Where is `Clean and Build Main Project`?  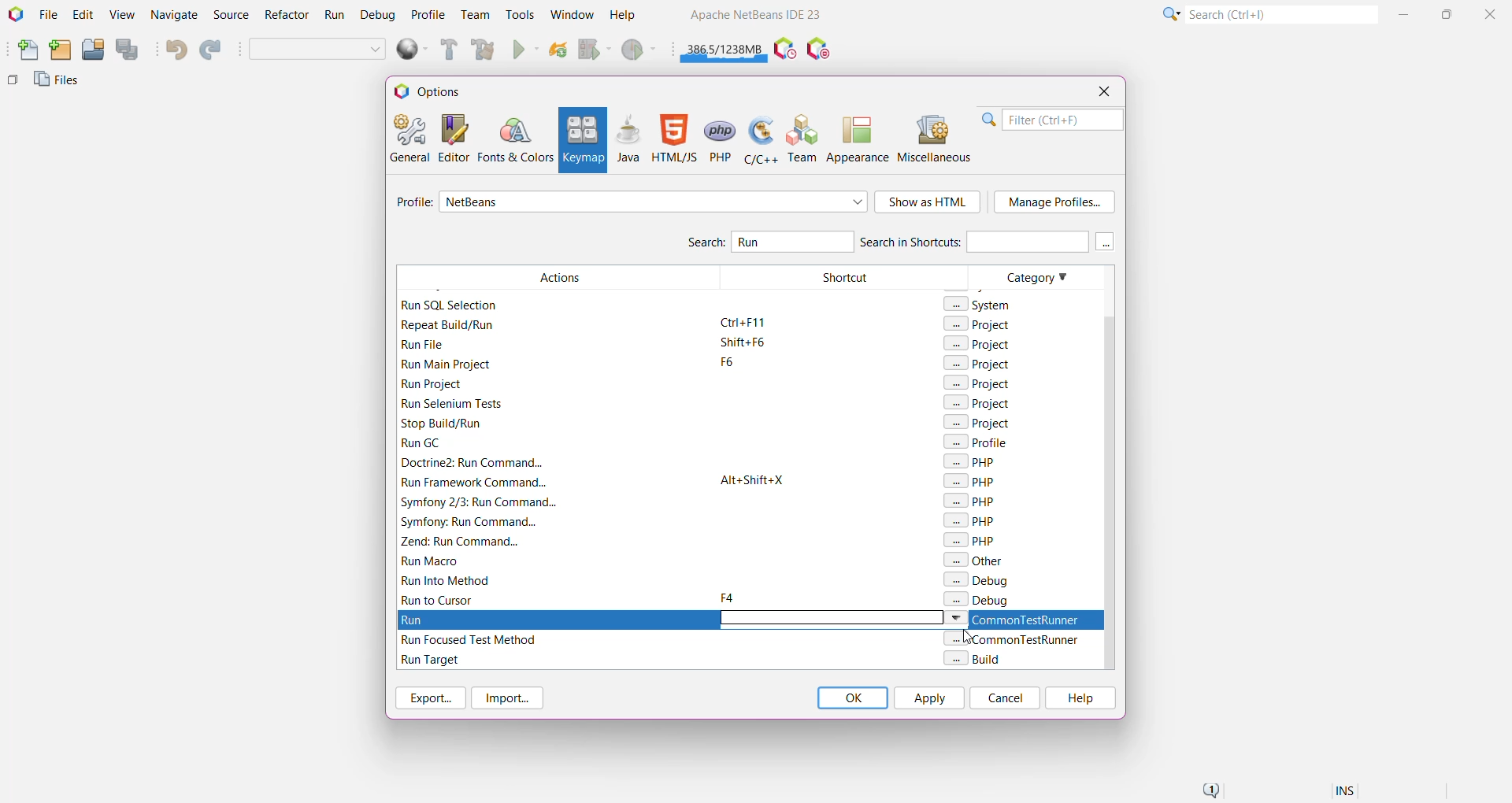 Clean and Build Main Project is located at coordinates (486, 51).